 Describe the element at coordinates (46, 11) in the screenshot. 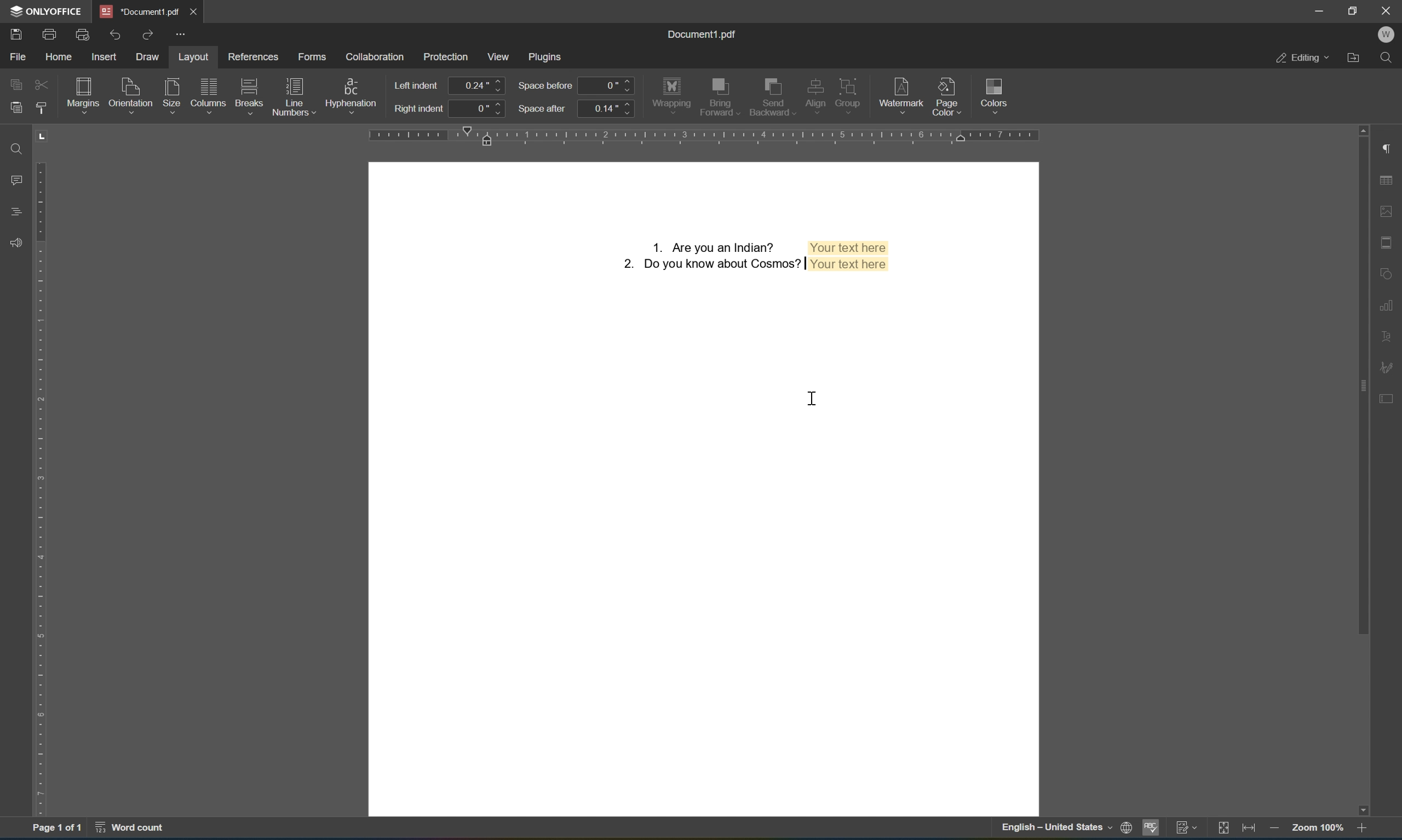

I see `ONLYOFFICE` at that location.